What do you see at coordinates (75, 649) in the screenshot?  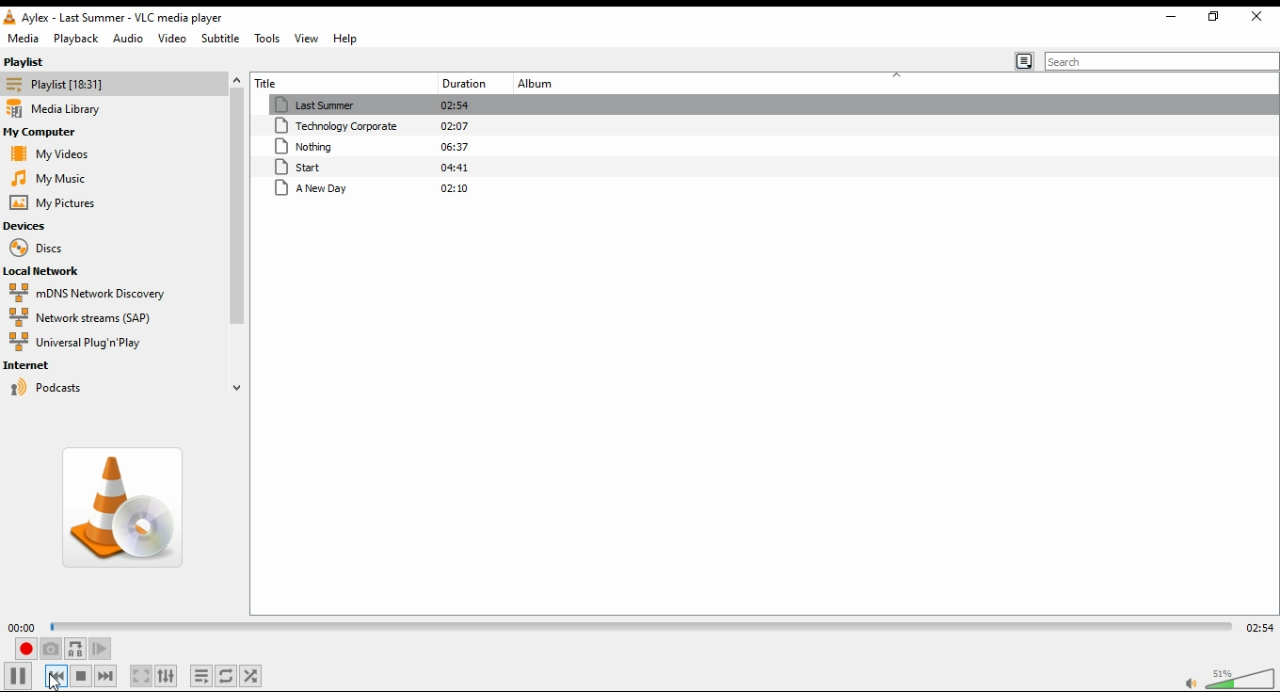 I see `loop between point A to point B continuously. Click to set point A` at bounding box center [75, 649].